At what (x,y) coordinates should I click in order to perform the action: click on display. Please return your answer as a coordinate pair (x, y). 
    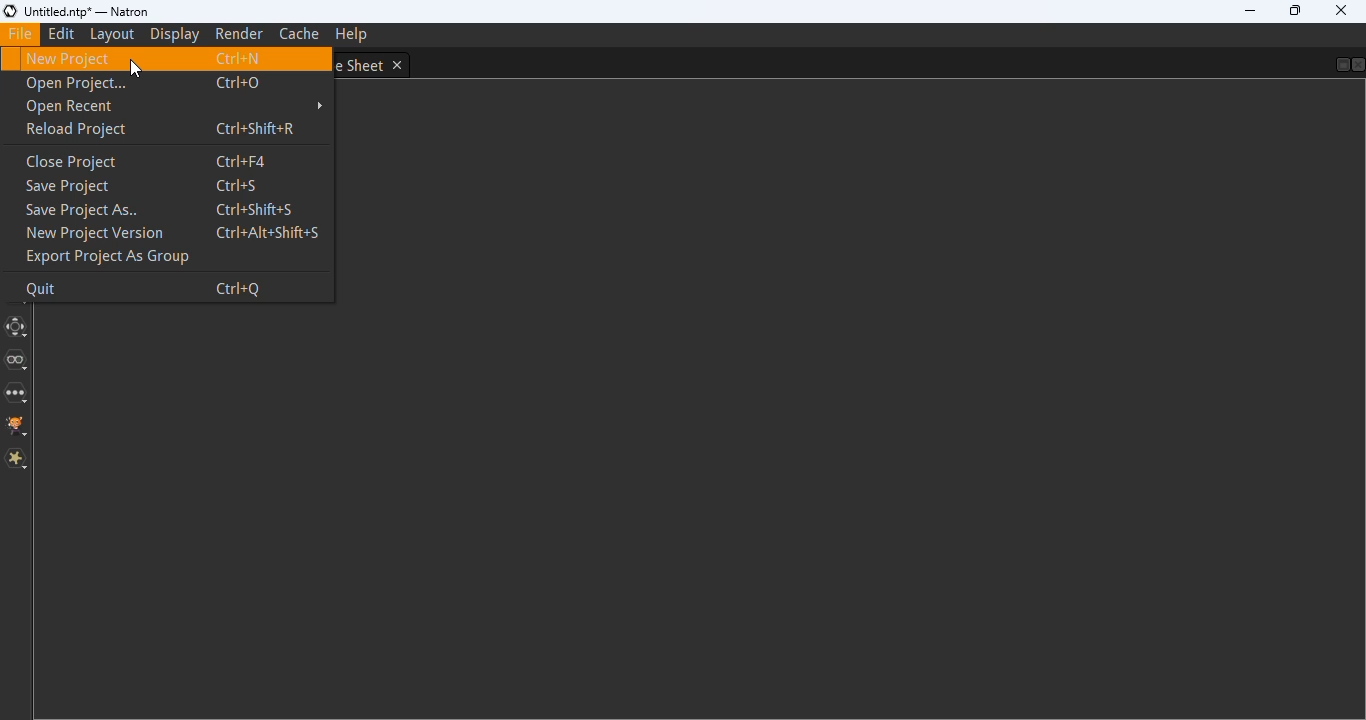
    Looking at the image, I should click on (174, 34).